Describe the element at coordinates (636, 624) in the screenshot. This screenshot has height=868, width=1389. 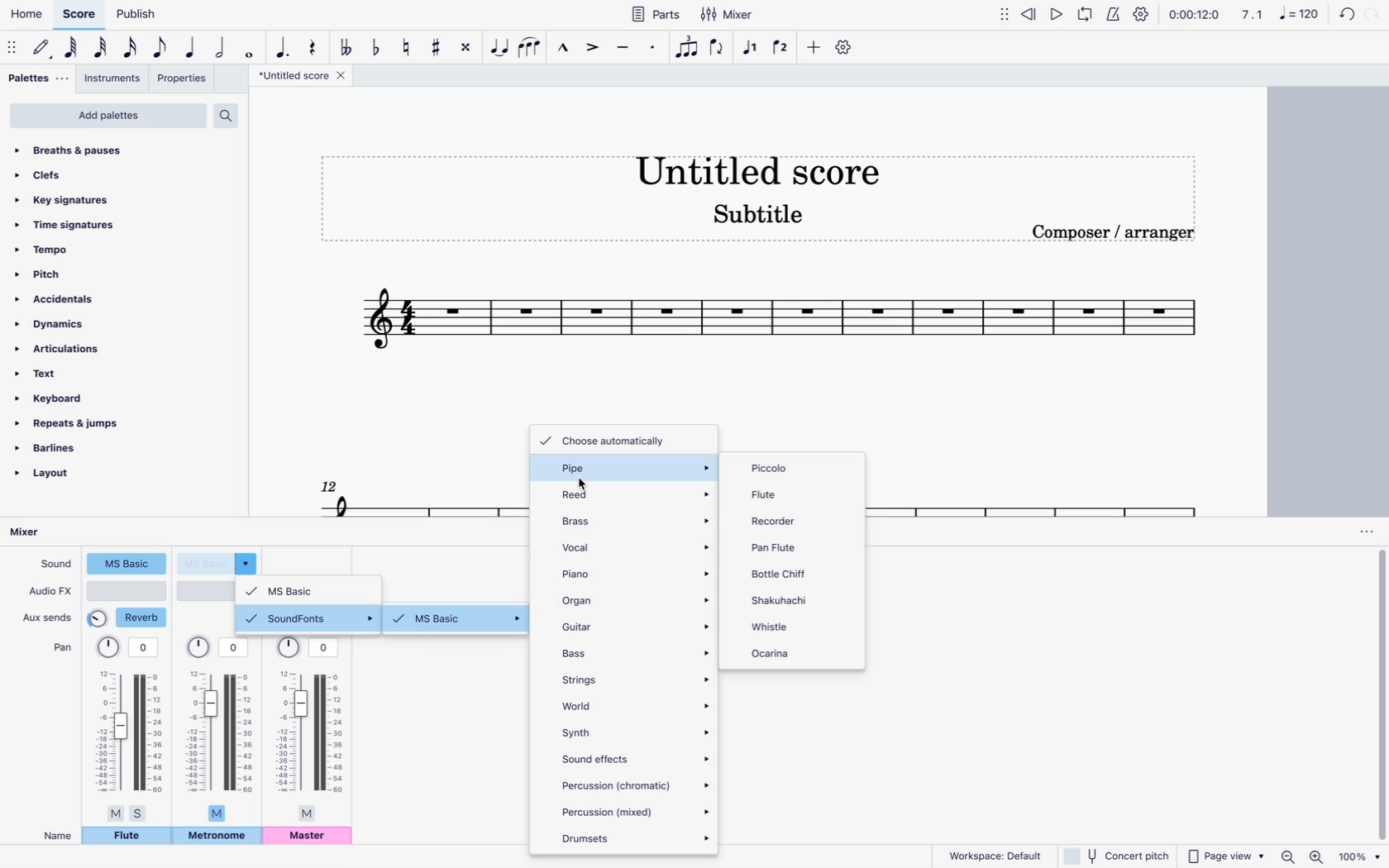
I see `guitar` at that location.